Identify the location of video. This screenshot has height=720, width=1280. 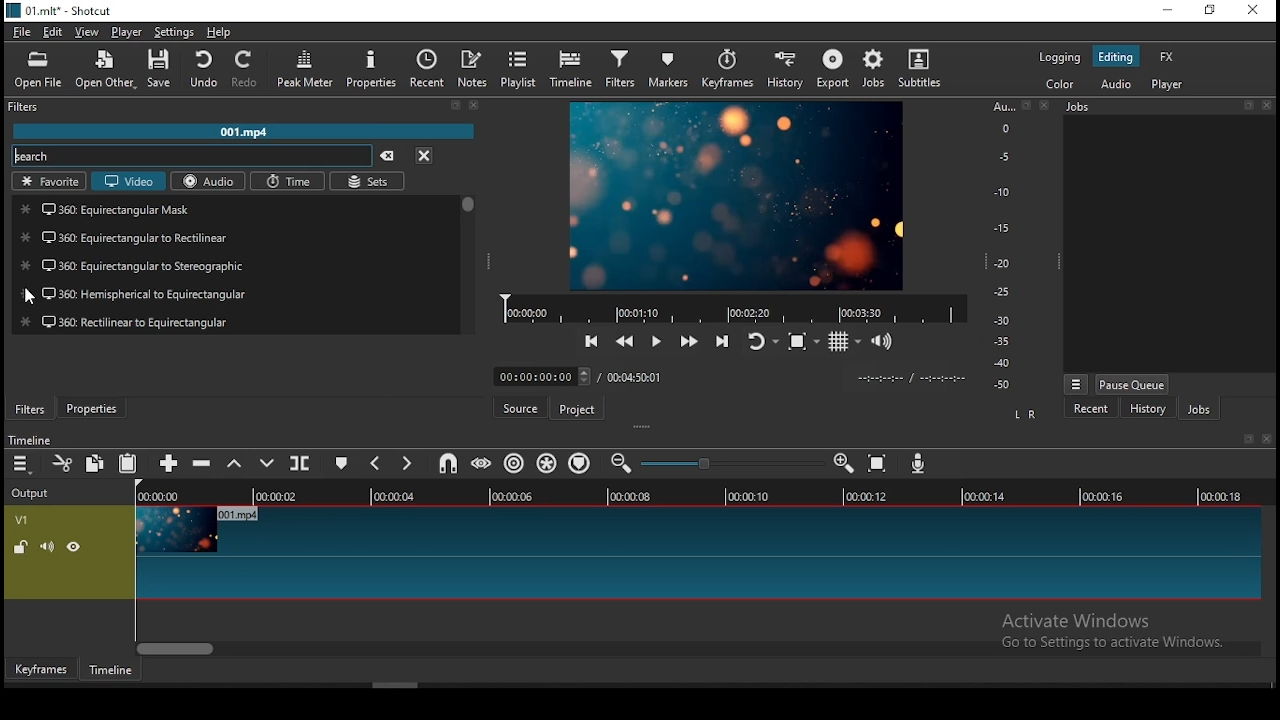
(127, 182).